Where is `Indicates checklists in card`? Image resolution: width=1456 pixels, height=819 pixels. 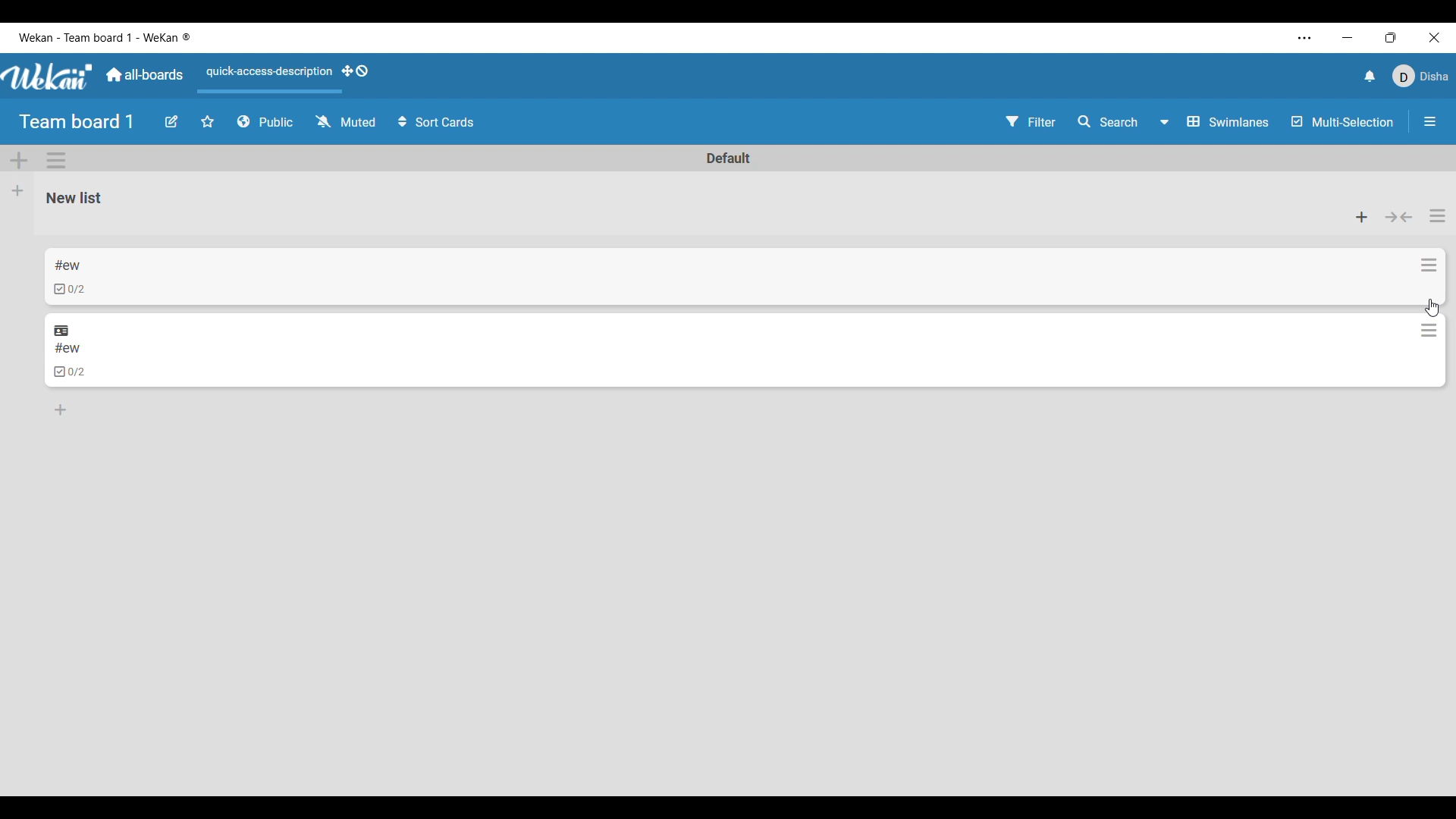 Indicates checklists in card is located at coordinates (70, 289).